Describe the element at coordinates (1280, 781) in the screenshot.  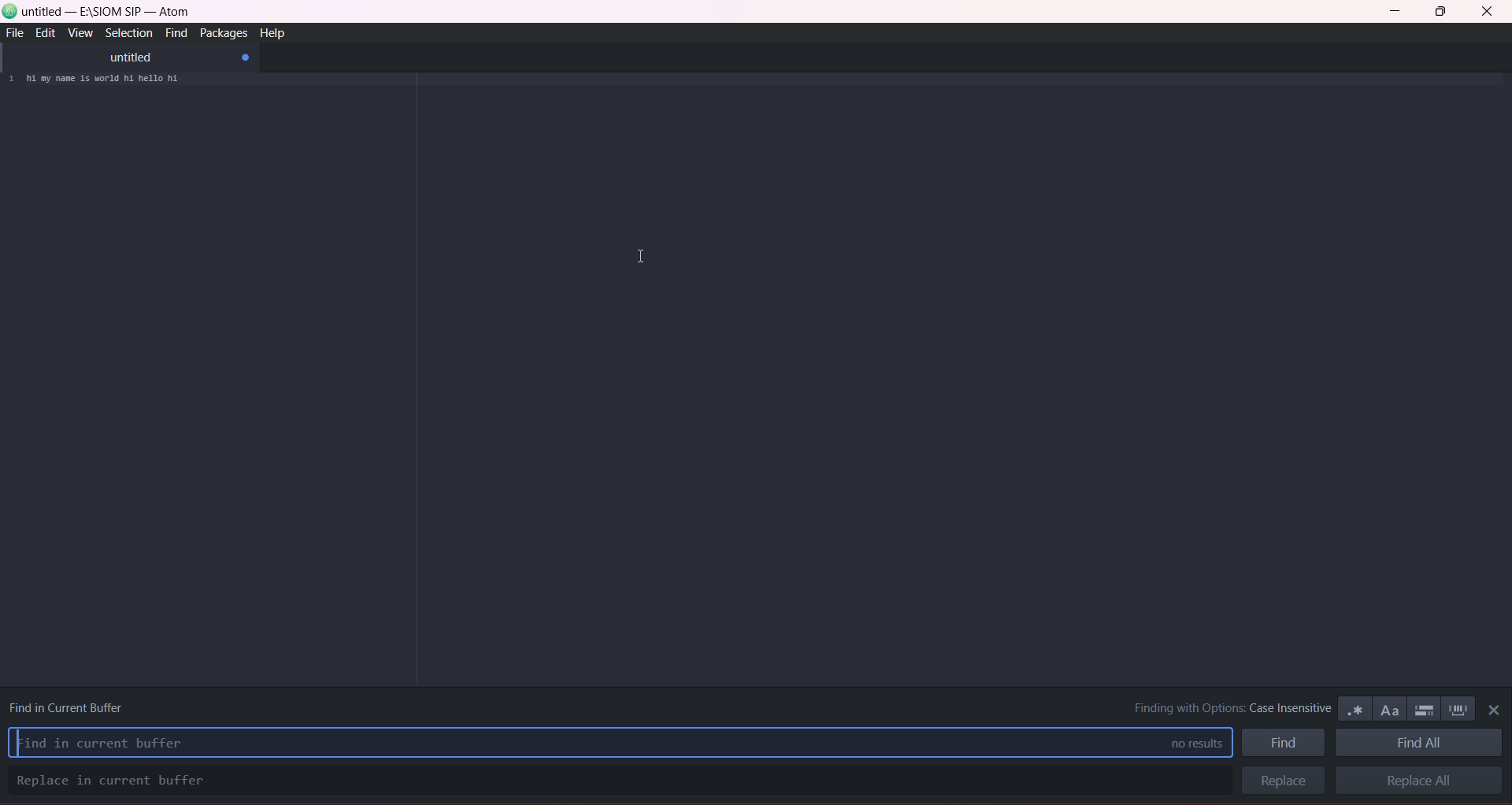
I see `replace` at that location.